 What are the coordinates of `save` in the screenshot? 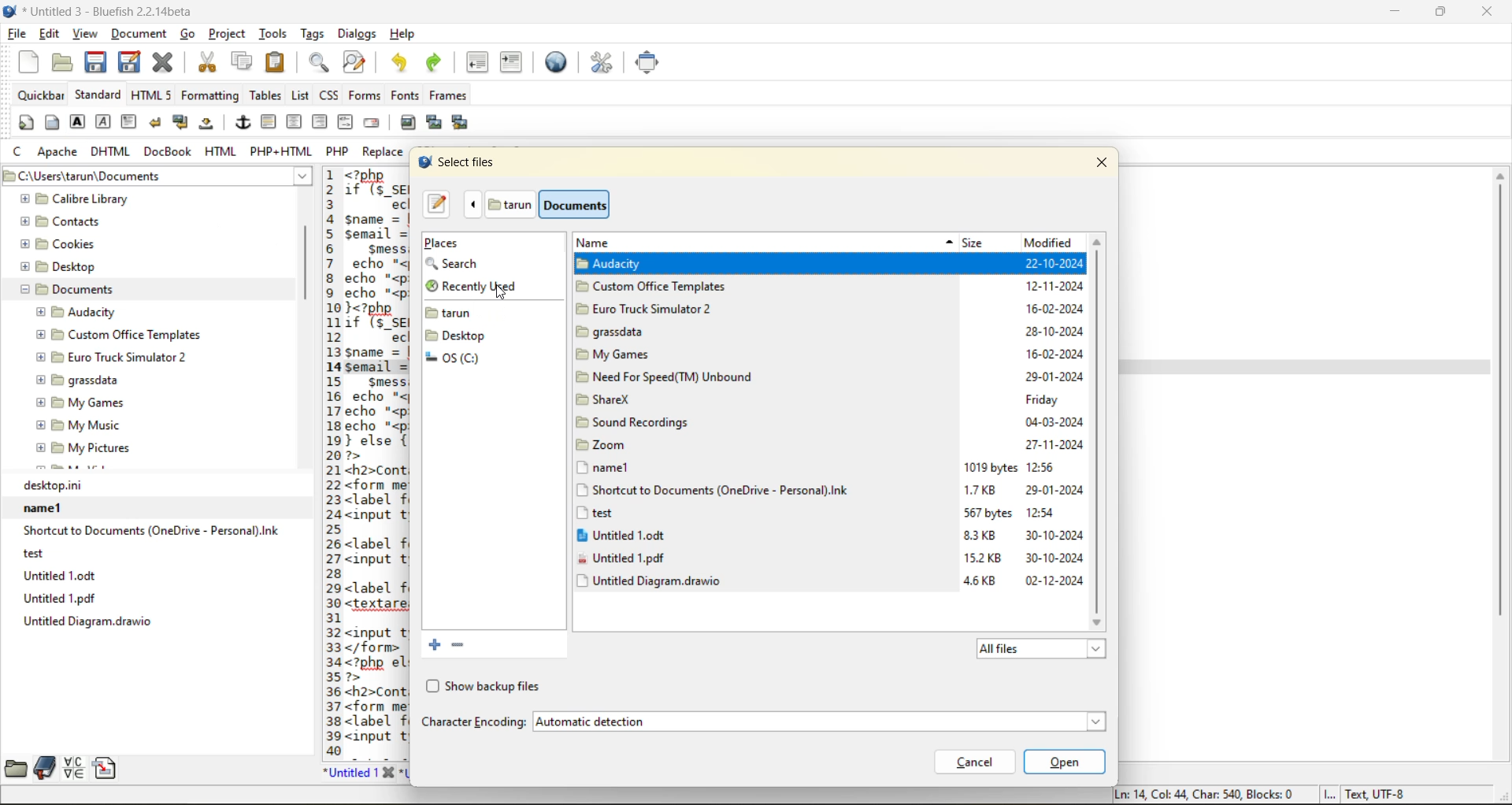 It's located at (96, 62).